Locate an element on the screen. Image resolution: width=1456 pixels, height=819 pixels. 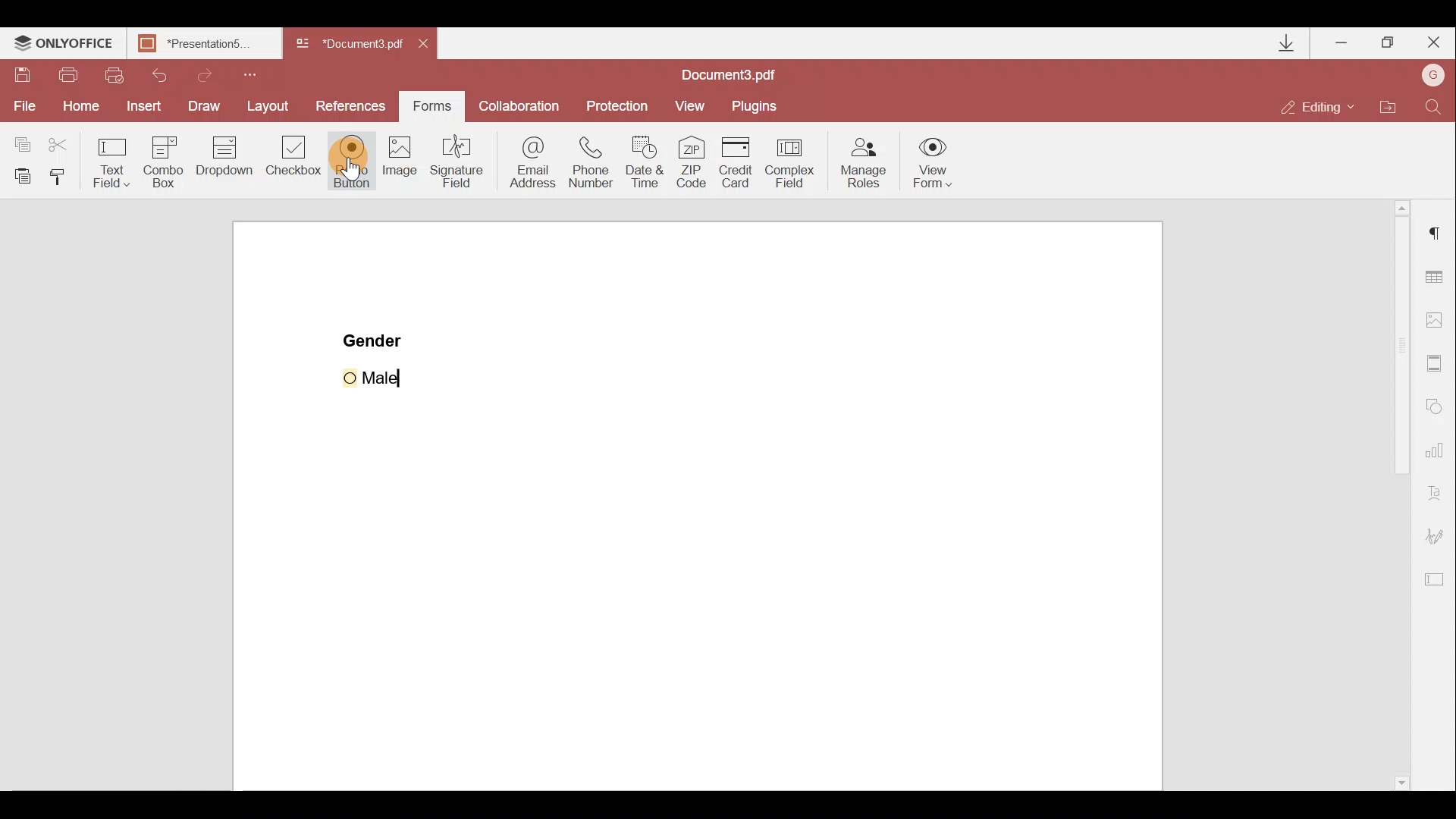
View form is located at coordinates (934, 162).